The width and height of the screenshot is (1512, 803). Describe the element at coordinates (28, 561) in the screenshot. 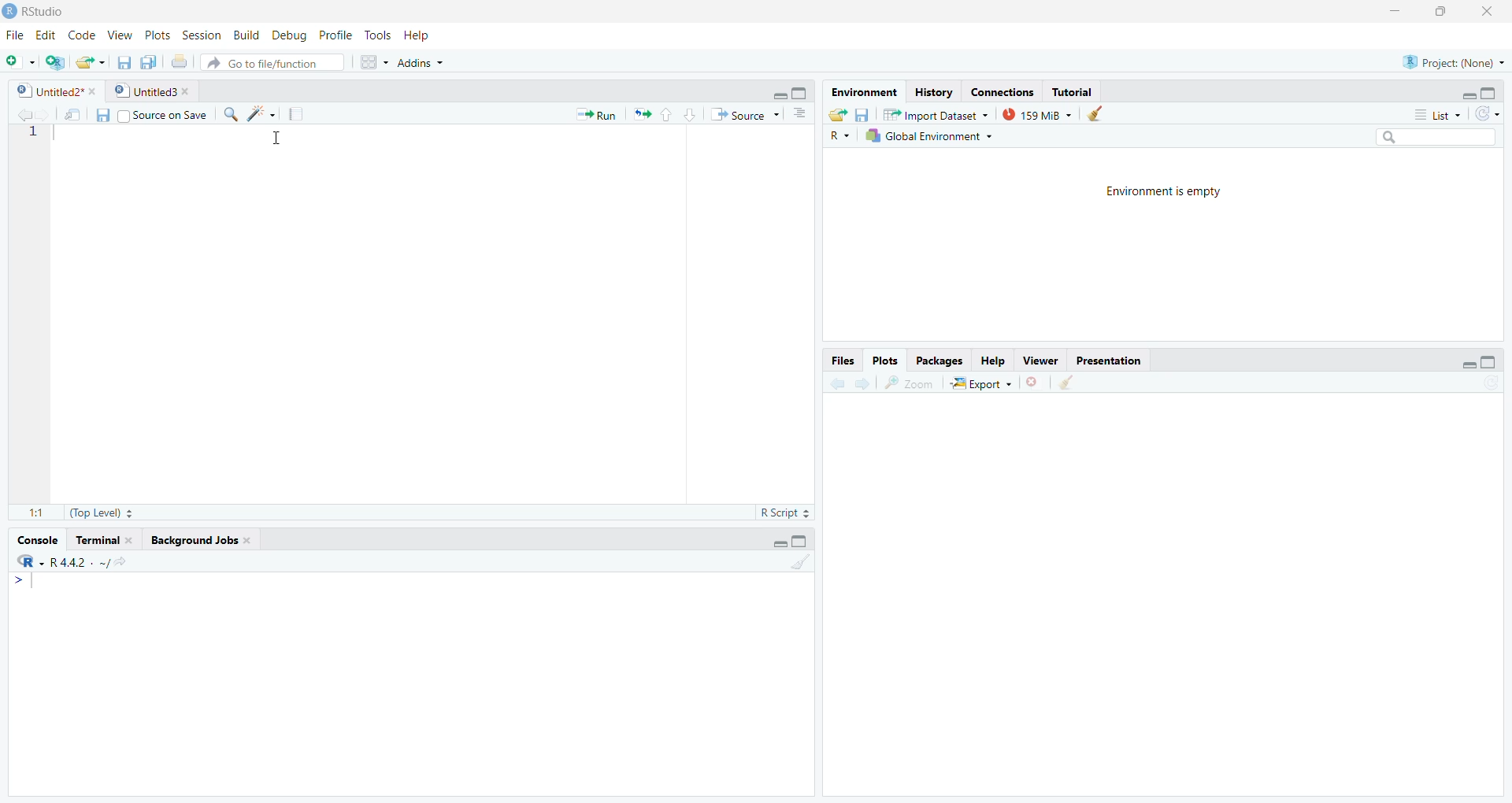

I see `R` at that location.